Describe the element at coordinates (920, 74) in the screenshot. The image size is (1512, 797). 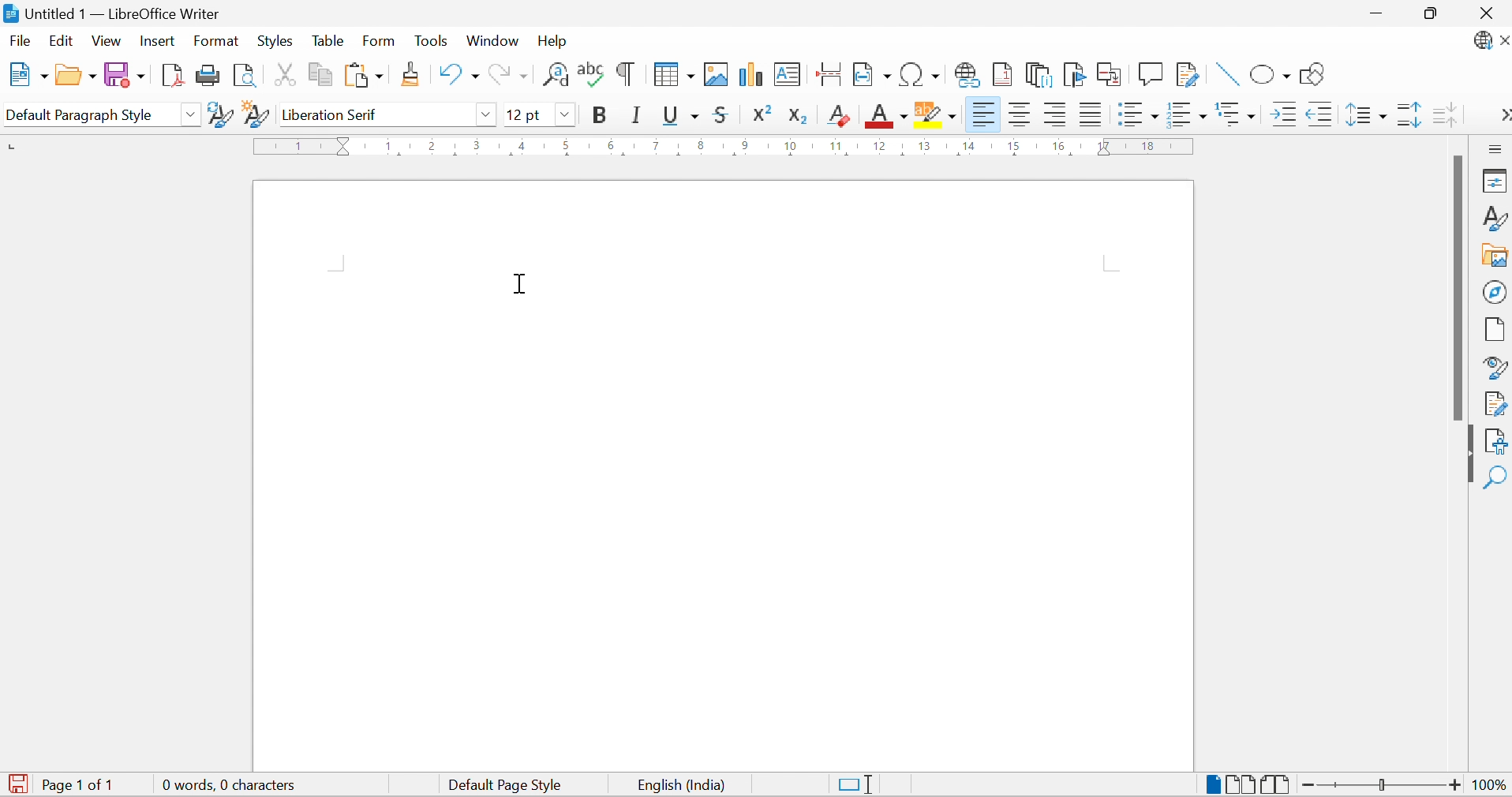
I see `Insert Special Characters` at that location.